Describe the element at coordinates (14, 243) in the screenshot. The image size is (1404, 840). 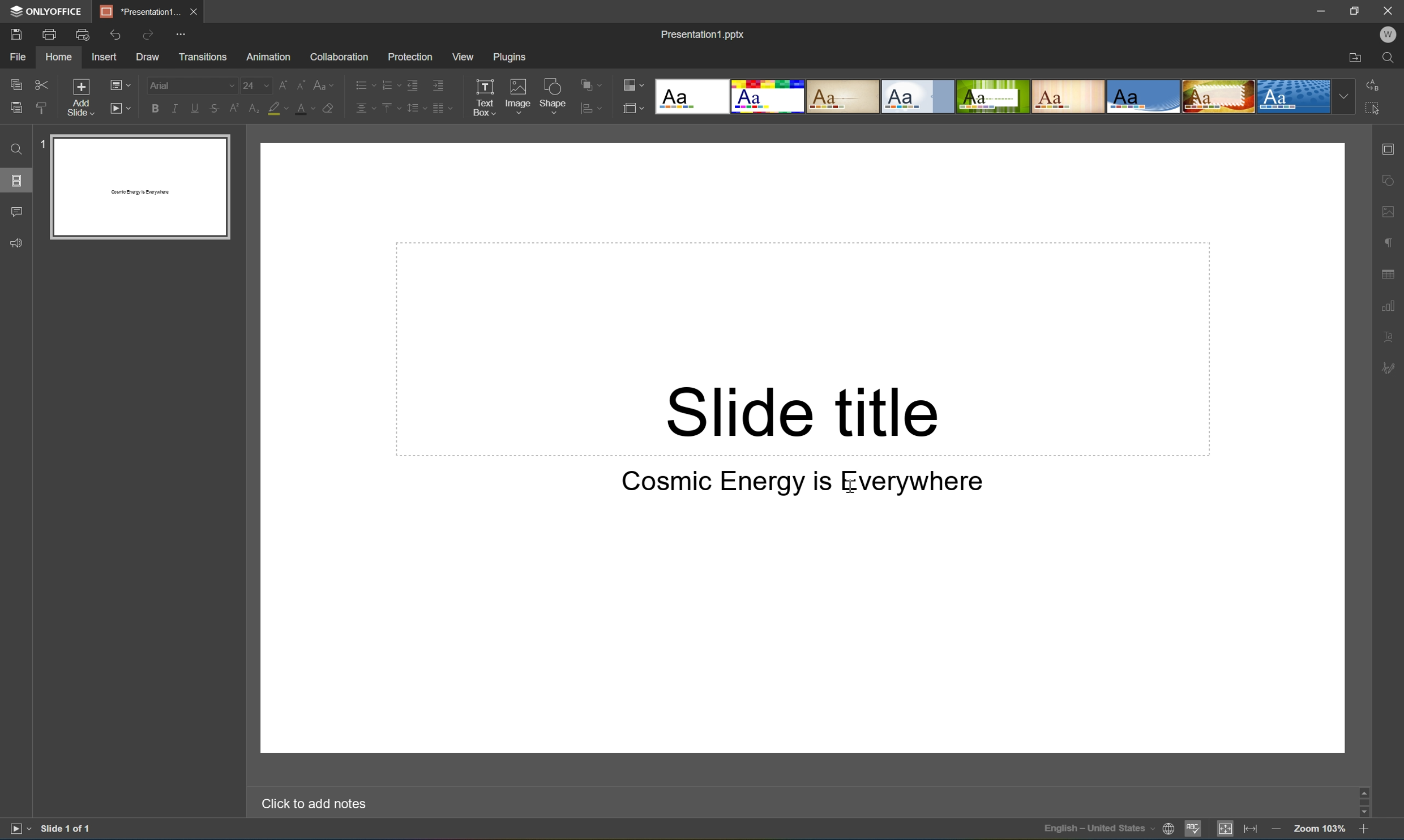
I see `Feedback and comments` at that location.